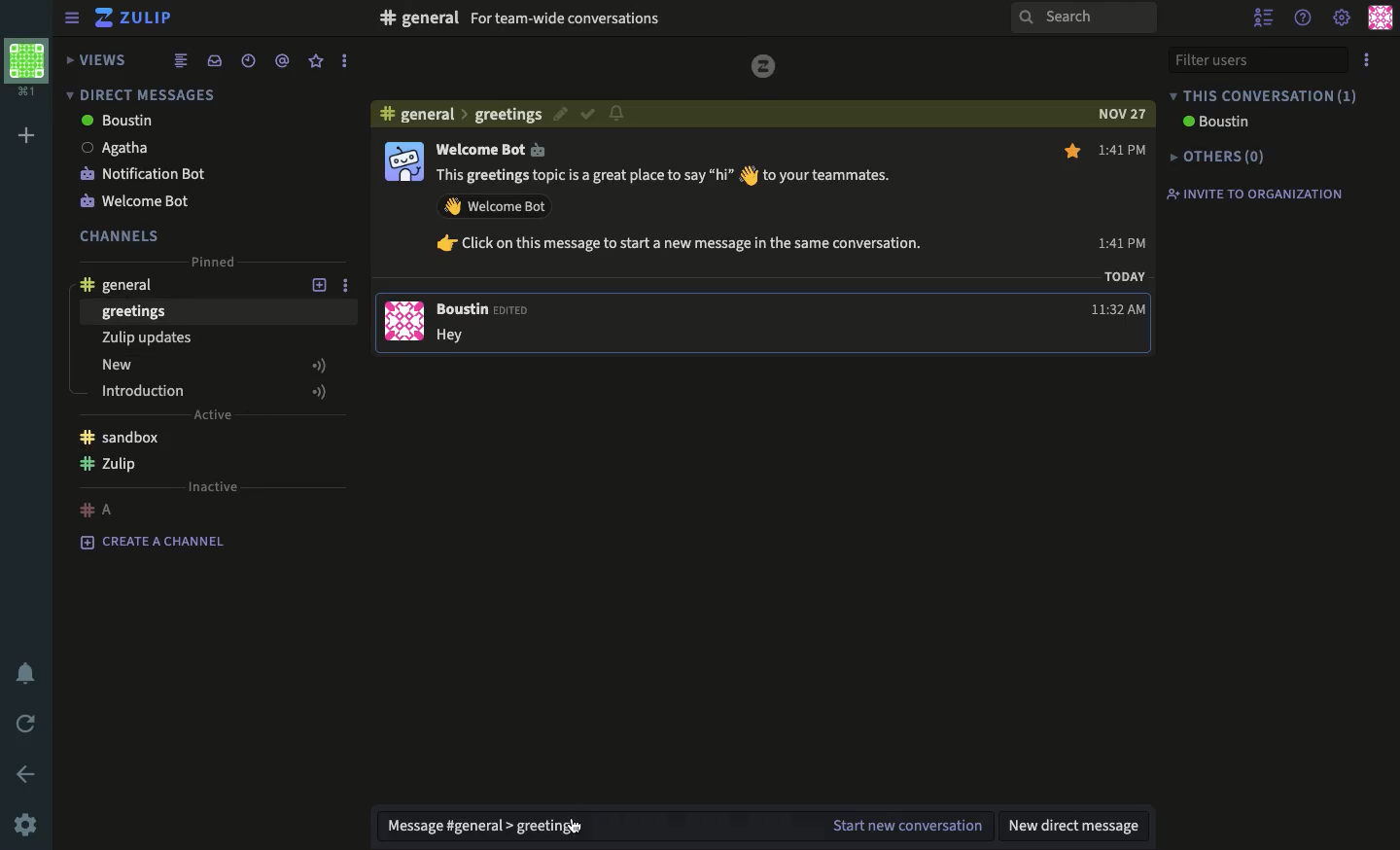 This screenshot has width=1400, height=850. Describe the element at coordinates (1264, 95) in the screenshot. I see `this conversation (1)` at that location.